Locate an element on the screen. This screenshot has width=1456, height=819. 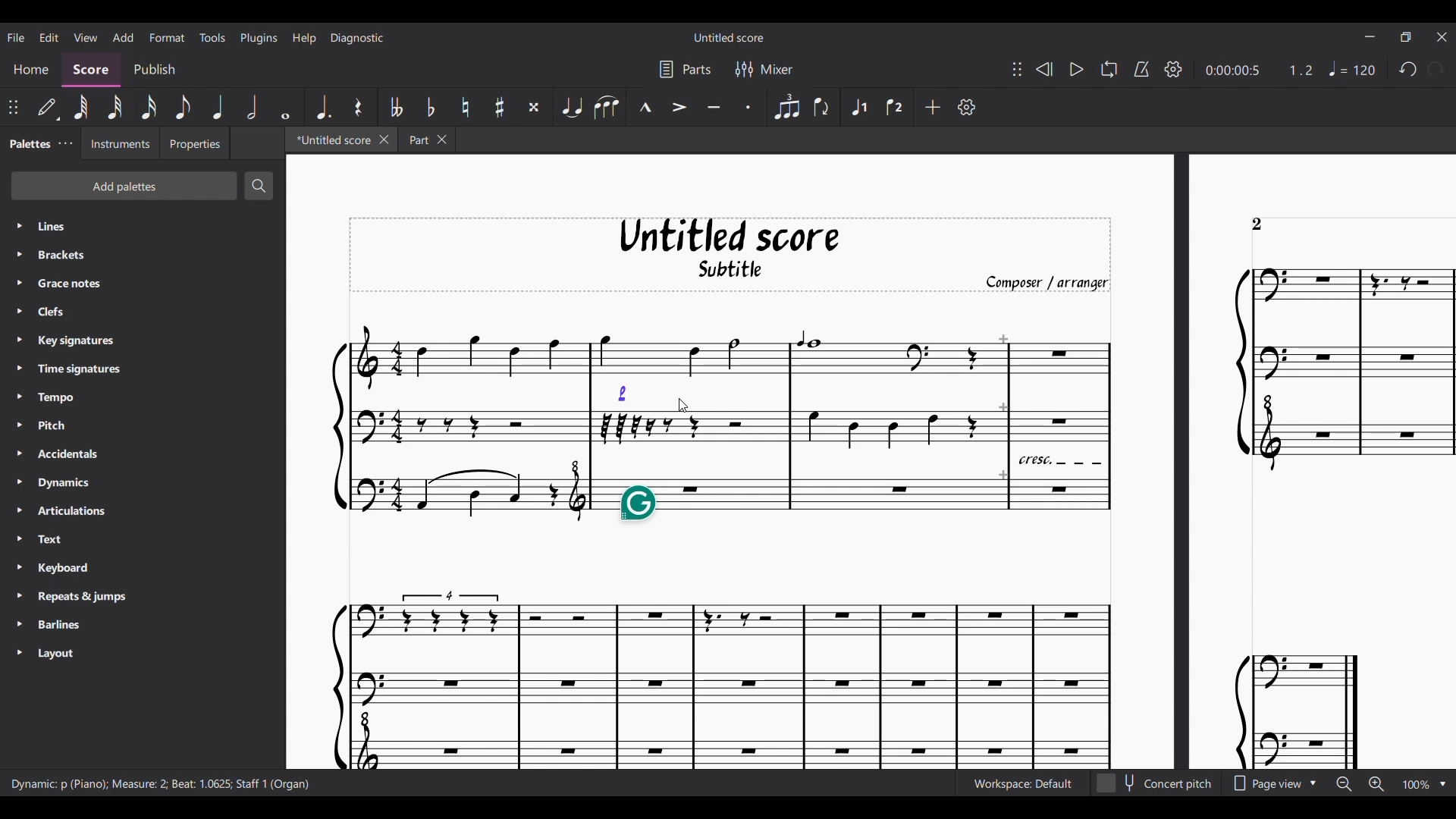
Add palettes is located at coordinates (124, 186).